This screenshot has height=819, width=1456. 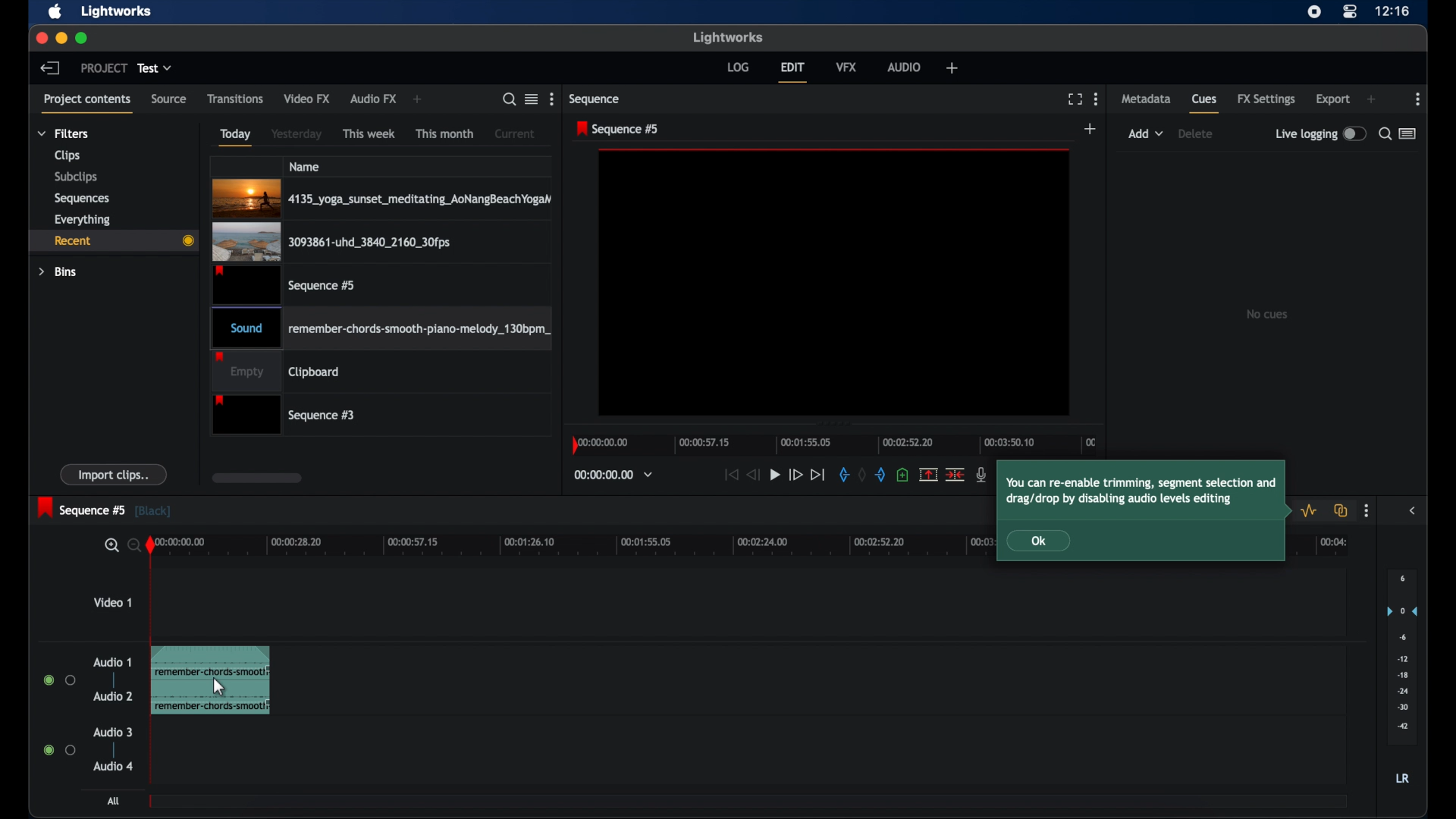 What do you see at coordinates (1313, 11) in the screenshot?
I see `screen recorder icon` at bounding box center [1313, 11].